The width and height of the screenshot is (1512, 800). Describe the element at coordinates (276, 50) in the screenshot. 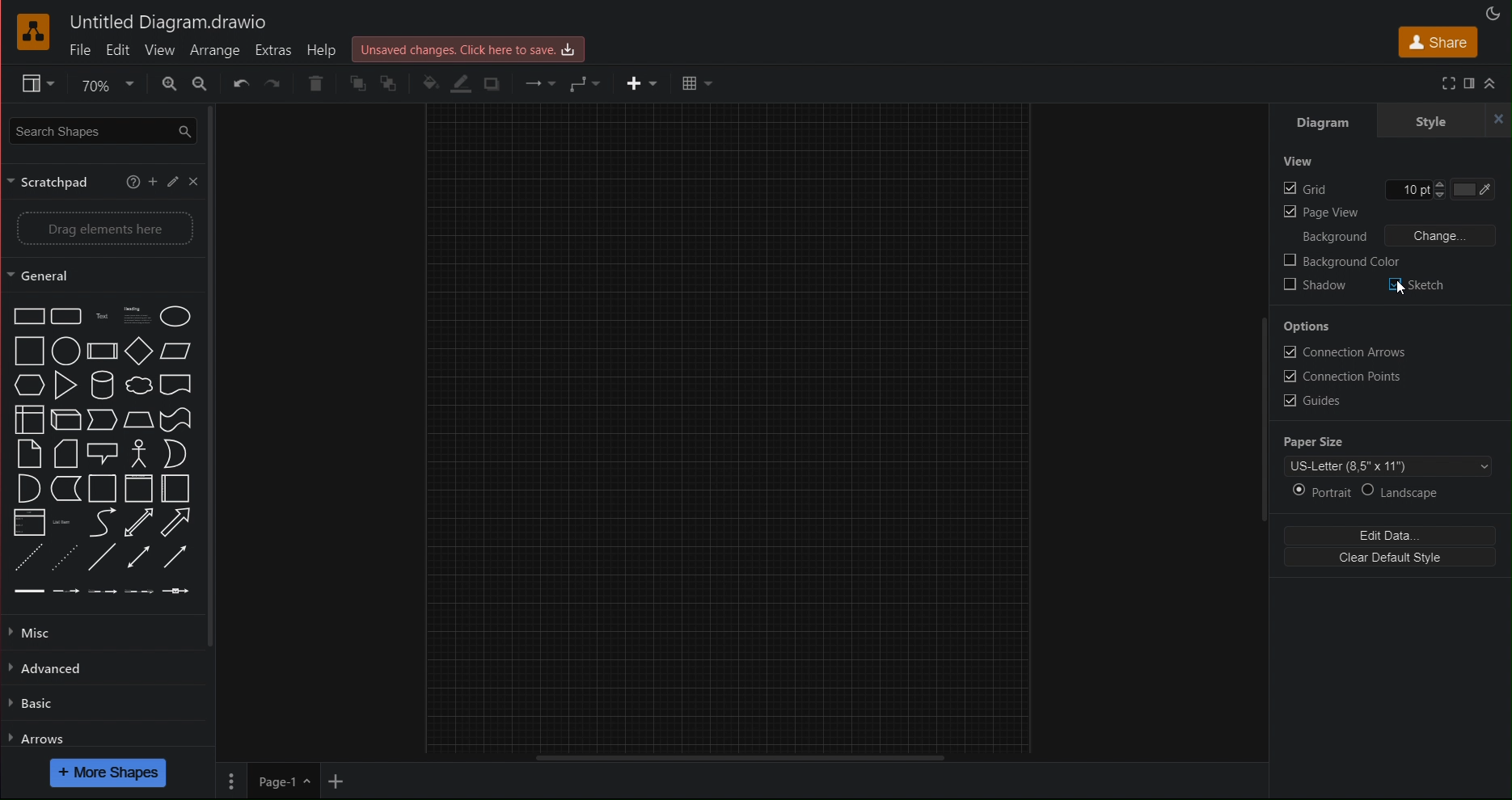

I see `Extras` at that location.